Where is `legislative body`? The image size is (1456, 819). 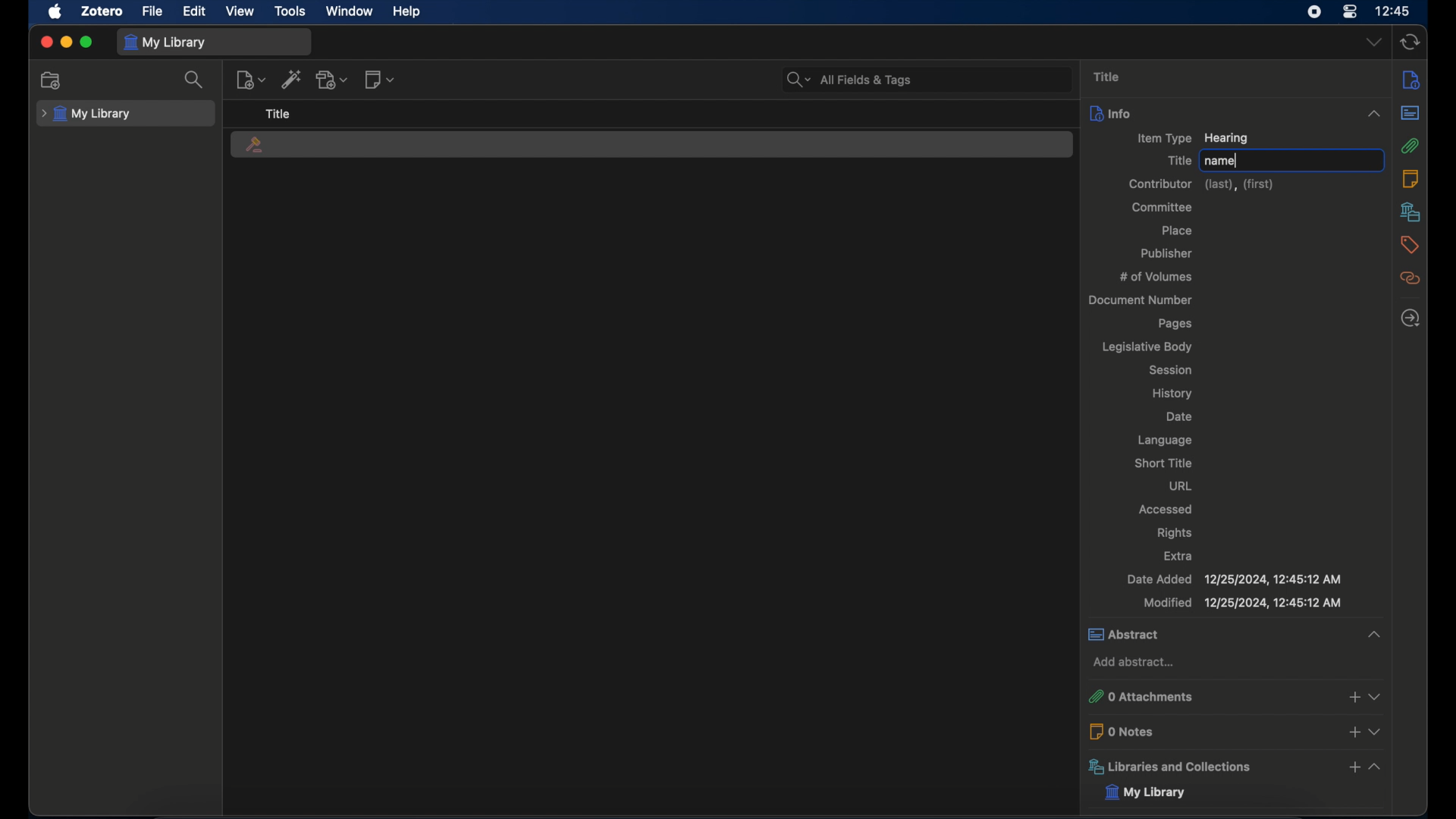
legislative body is located at coordinates (1146, 347).